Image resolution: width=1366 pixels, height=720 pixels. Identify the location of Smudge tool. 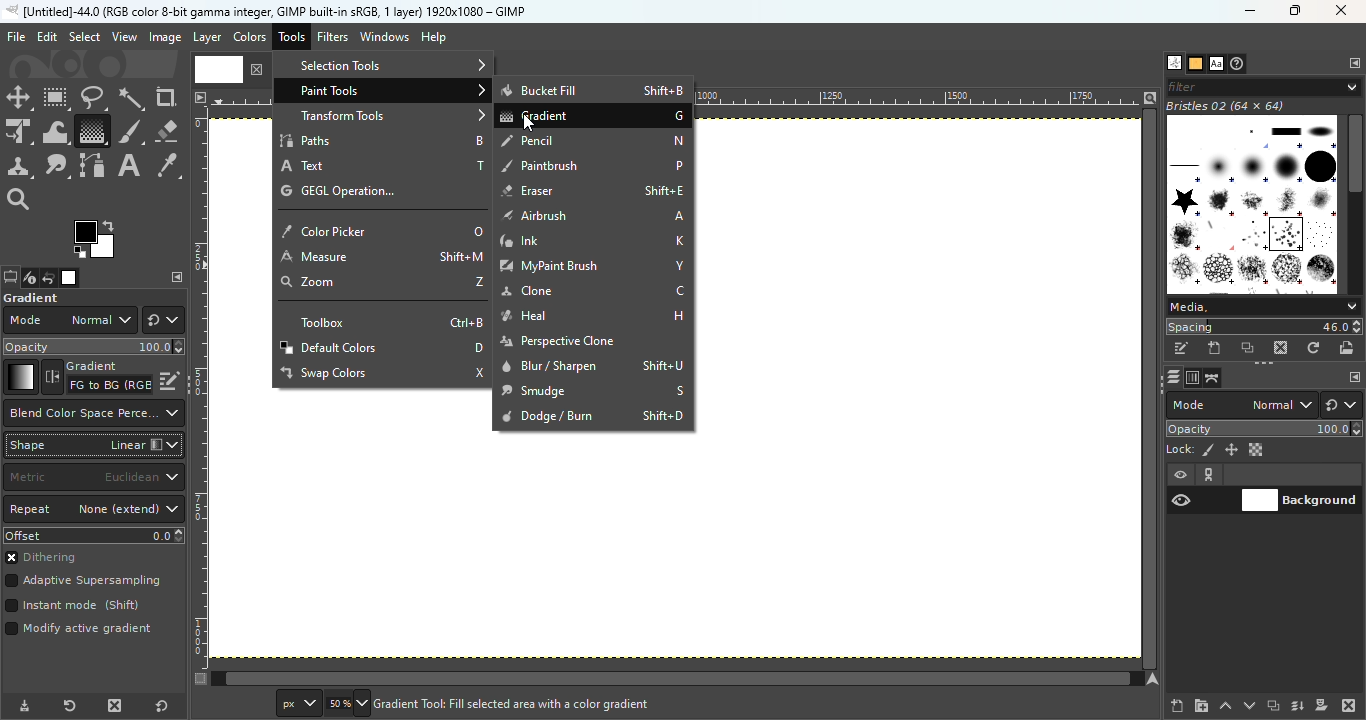
(57, 166).